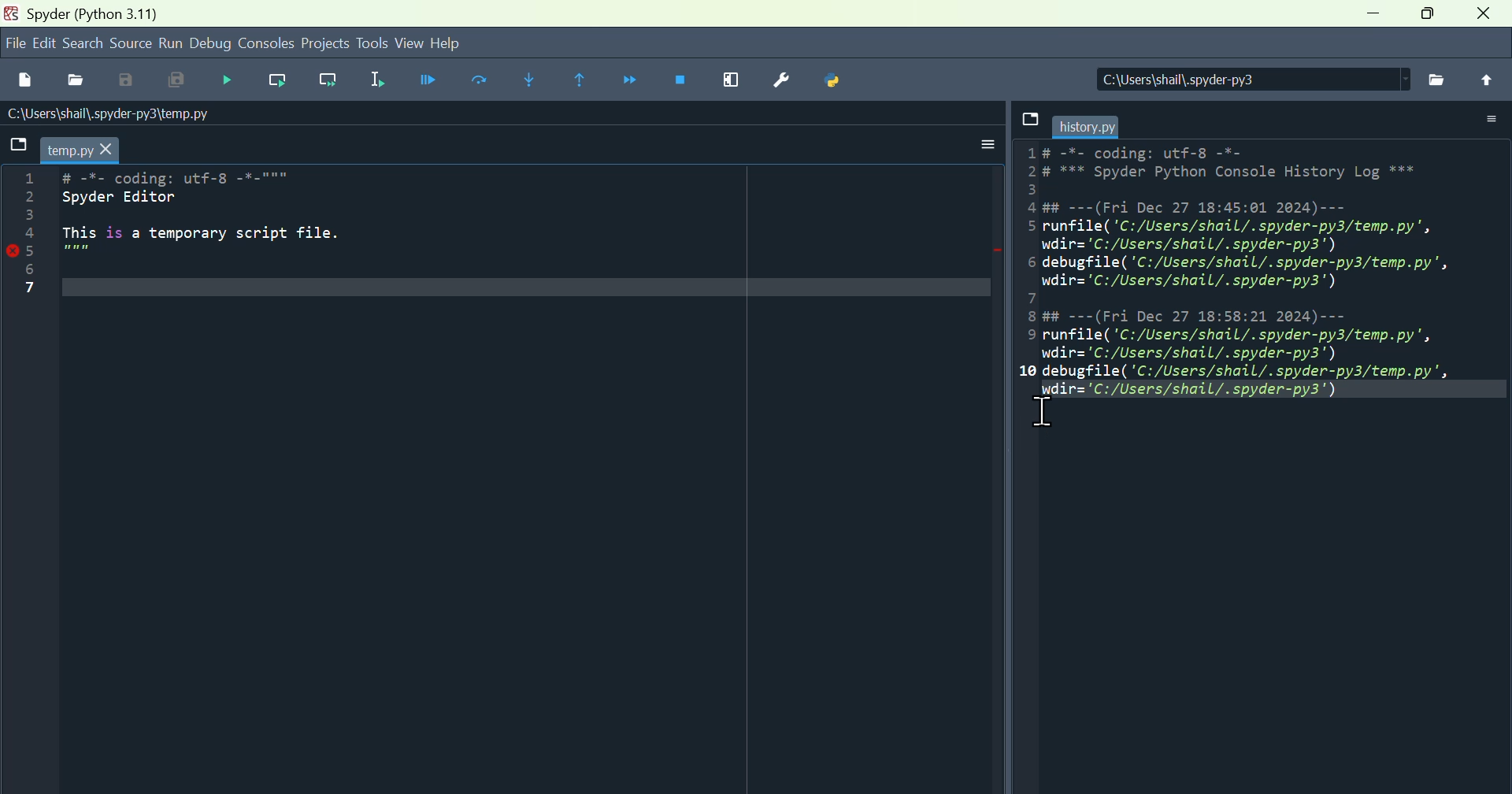 The width and height of the screenshot is (1512, 794). I want to click on search, so click(81, 44).